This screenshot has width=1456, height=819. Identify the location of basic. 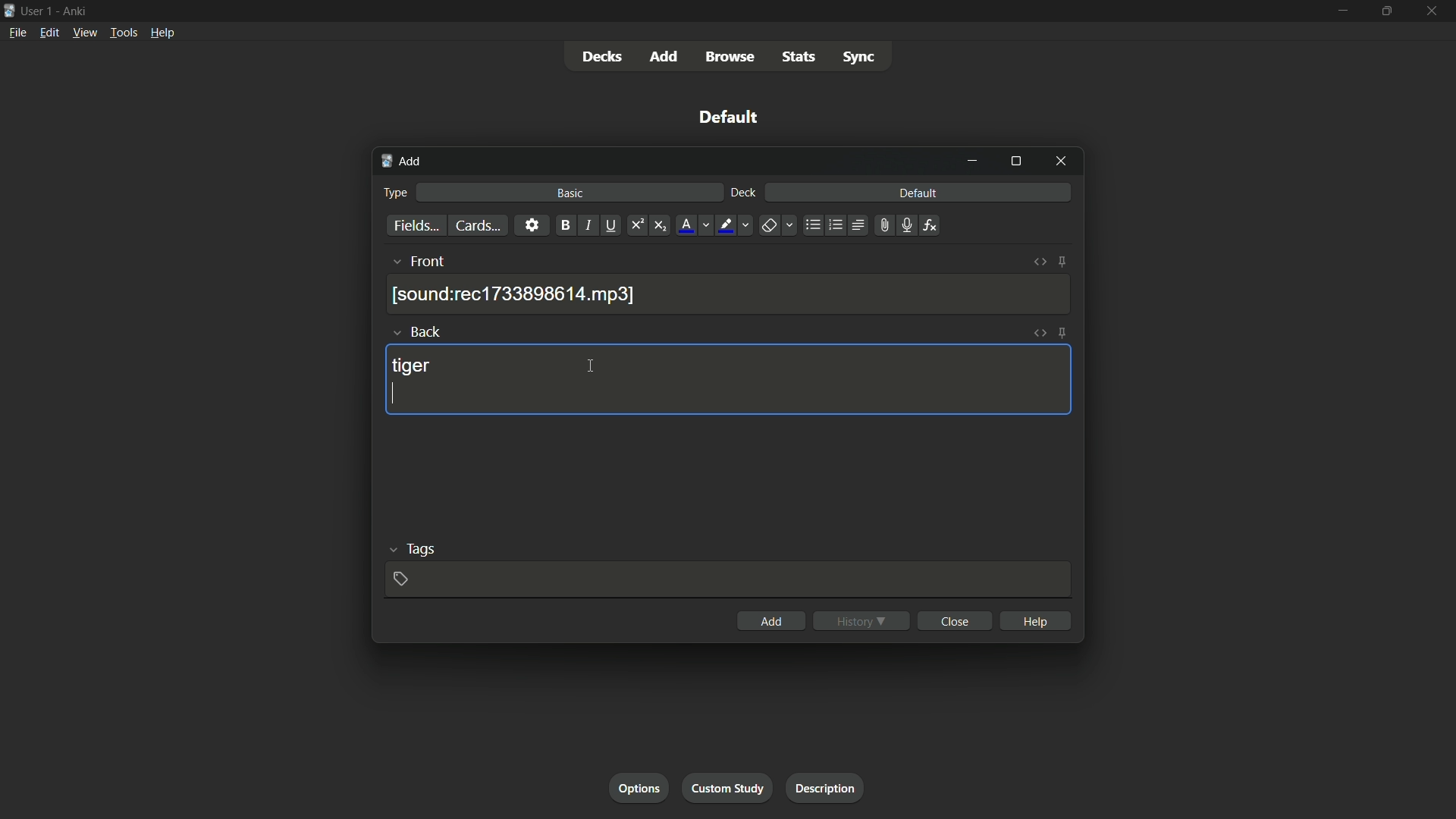
(570, 193).